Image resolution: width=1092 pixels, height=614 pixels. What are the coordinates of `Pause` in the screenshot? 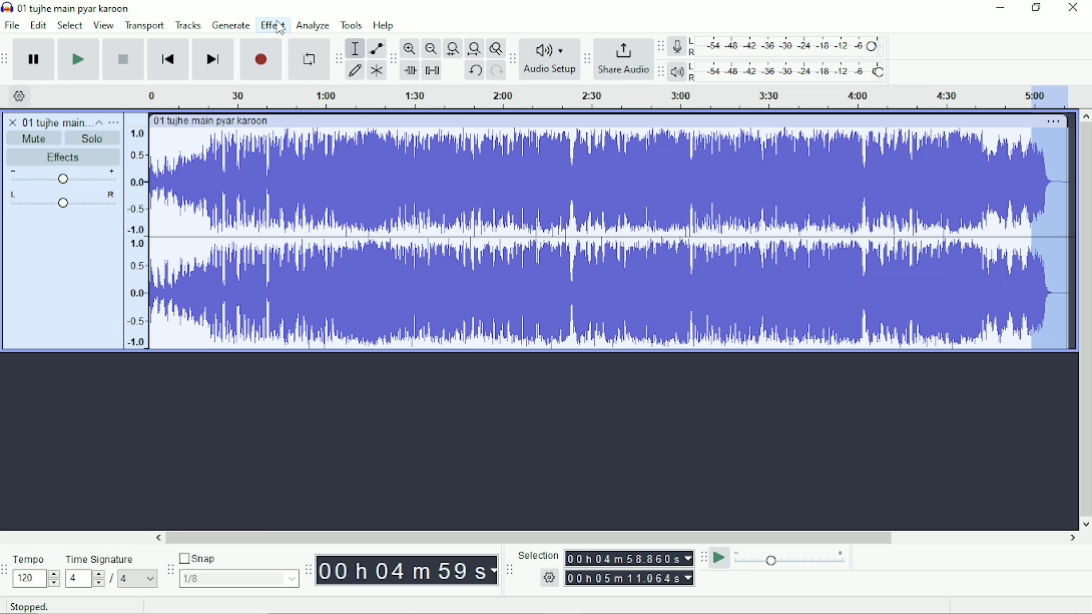 It's located at (34, 59).